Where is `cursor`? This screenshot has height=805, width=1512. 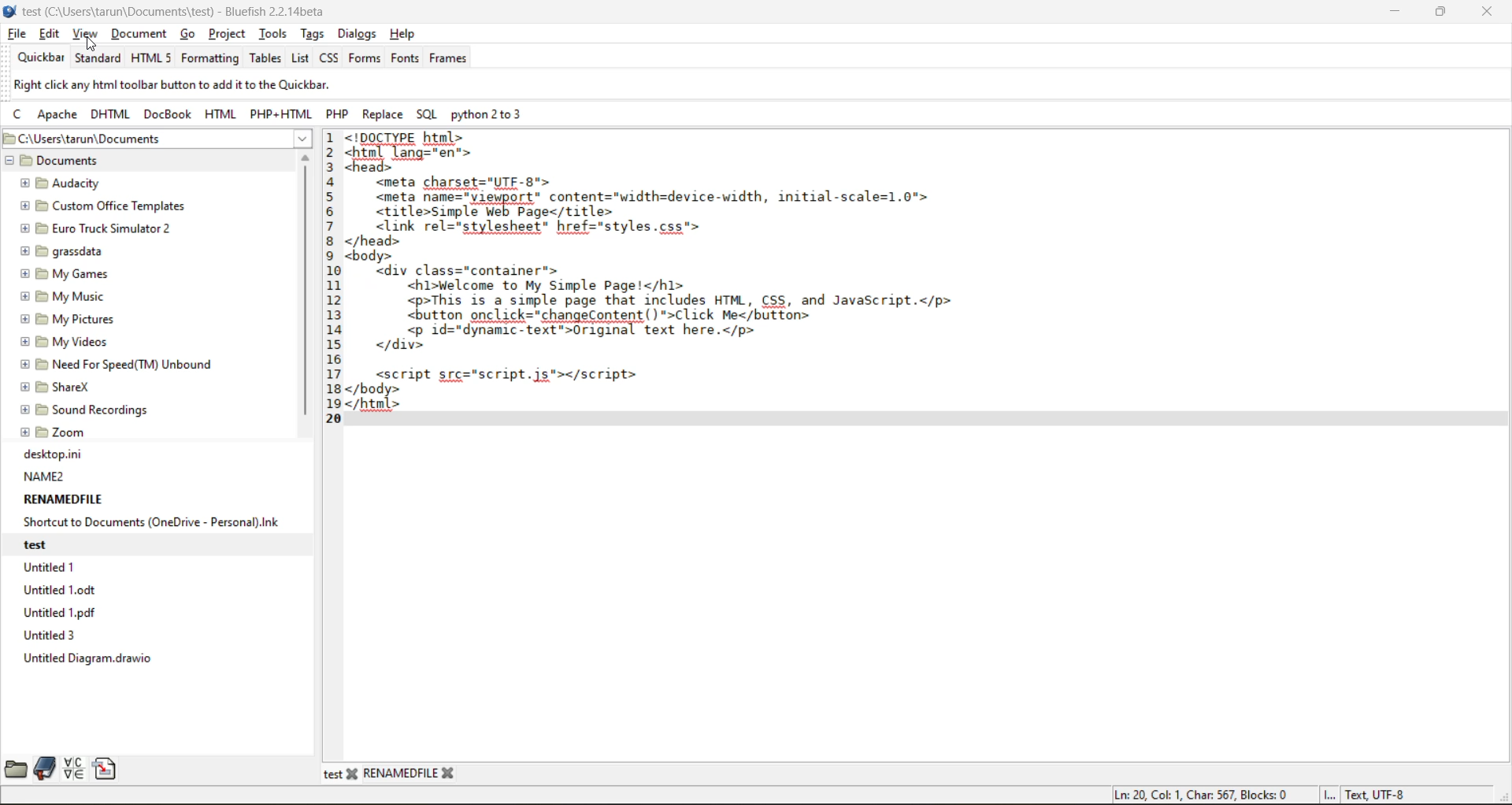
cursor is located at coordinates (94, 43).